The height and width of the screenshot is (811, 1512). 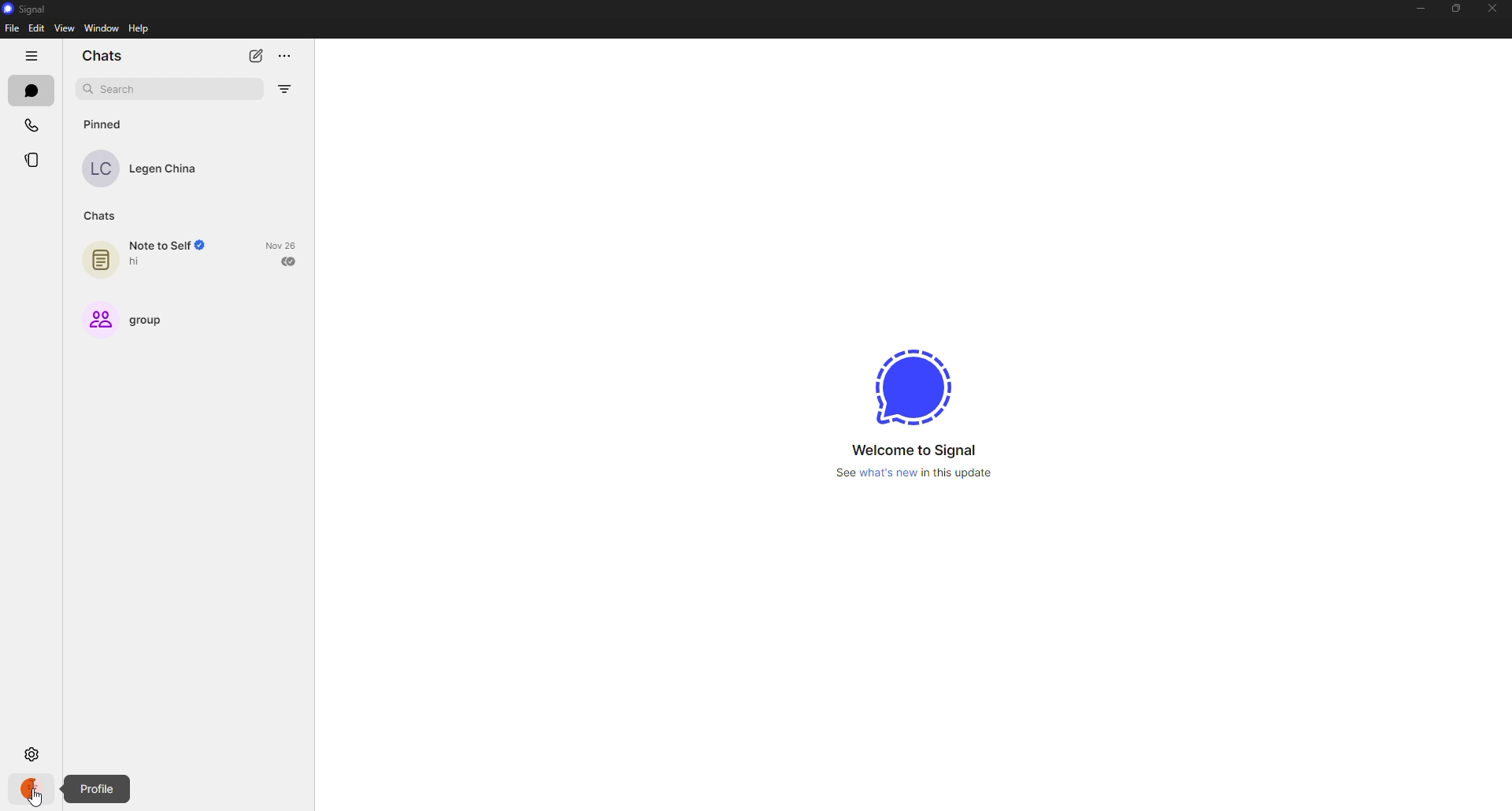 I want to click on more, so click(x=286, y=52).